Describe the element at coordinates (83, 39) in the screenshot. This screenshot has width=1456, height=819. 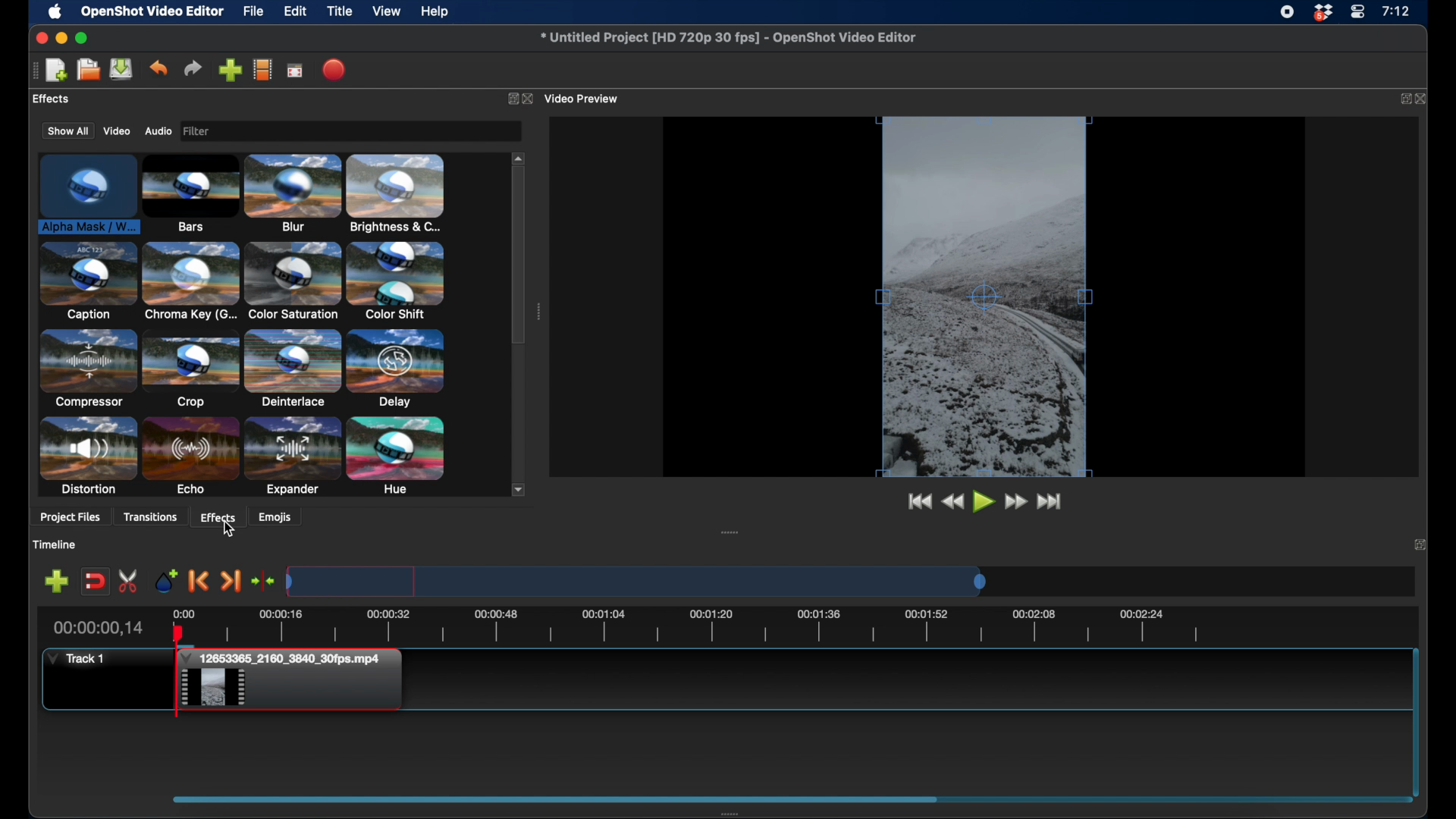
I see `maximize` at that location.